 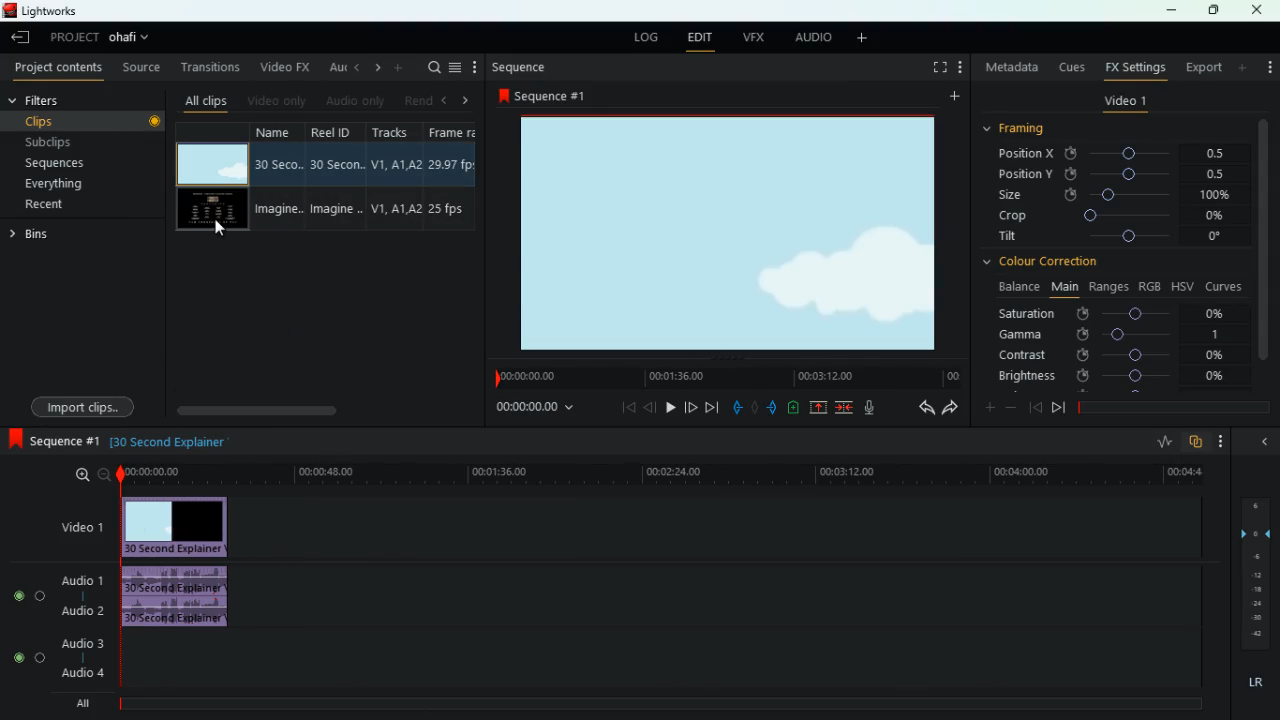 What do you see at coordinates (1016, 287) in the screenshot?
I see `balance` at bounding box center [1016, 287].